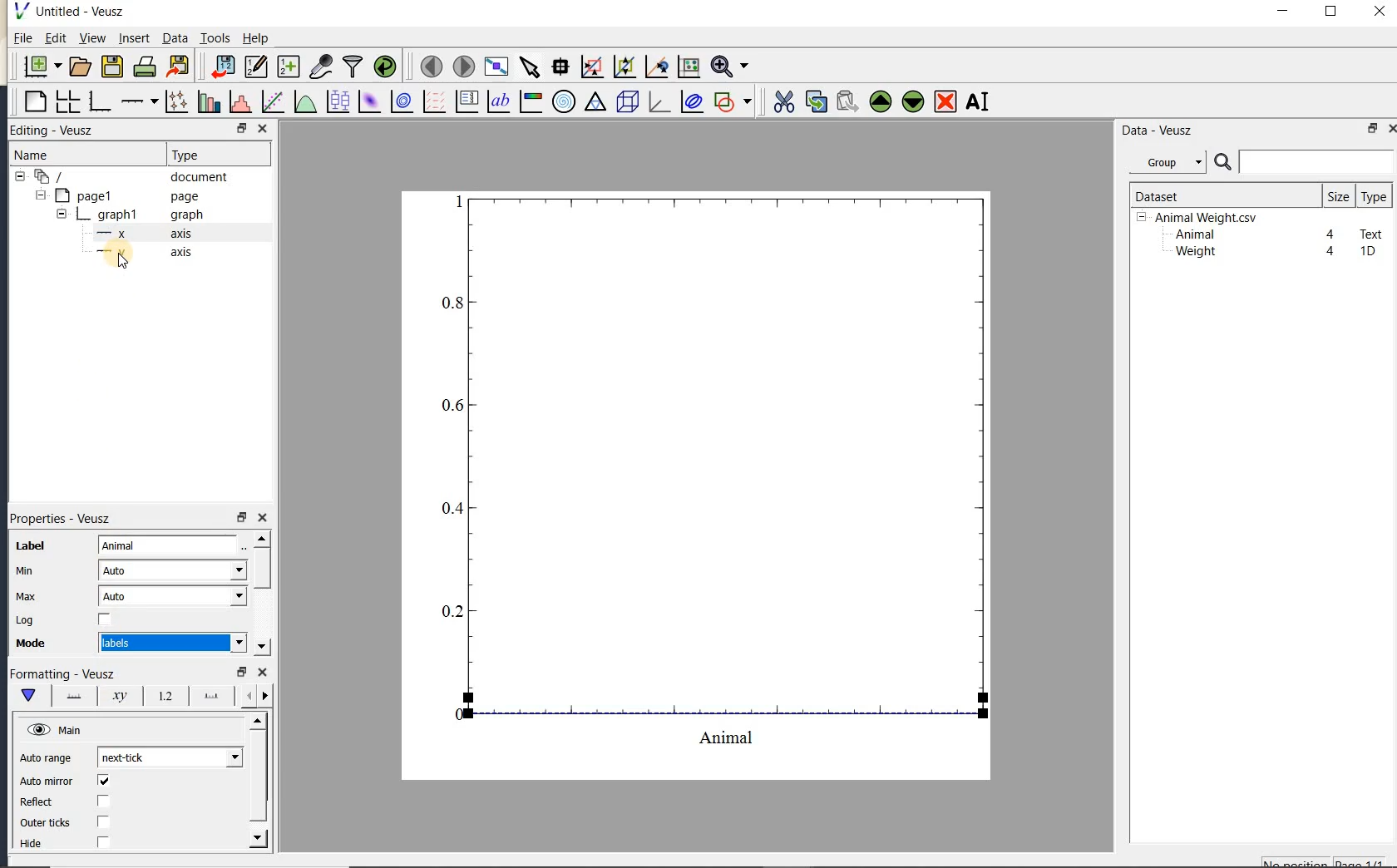 This screenshot has height=868, width=1397. I want to click on 4, so click(1331, 252).